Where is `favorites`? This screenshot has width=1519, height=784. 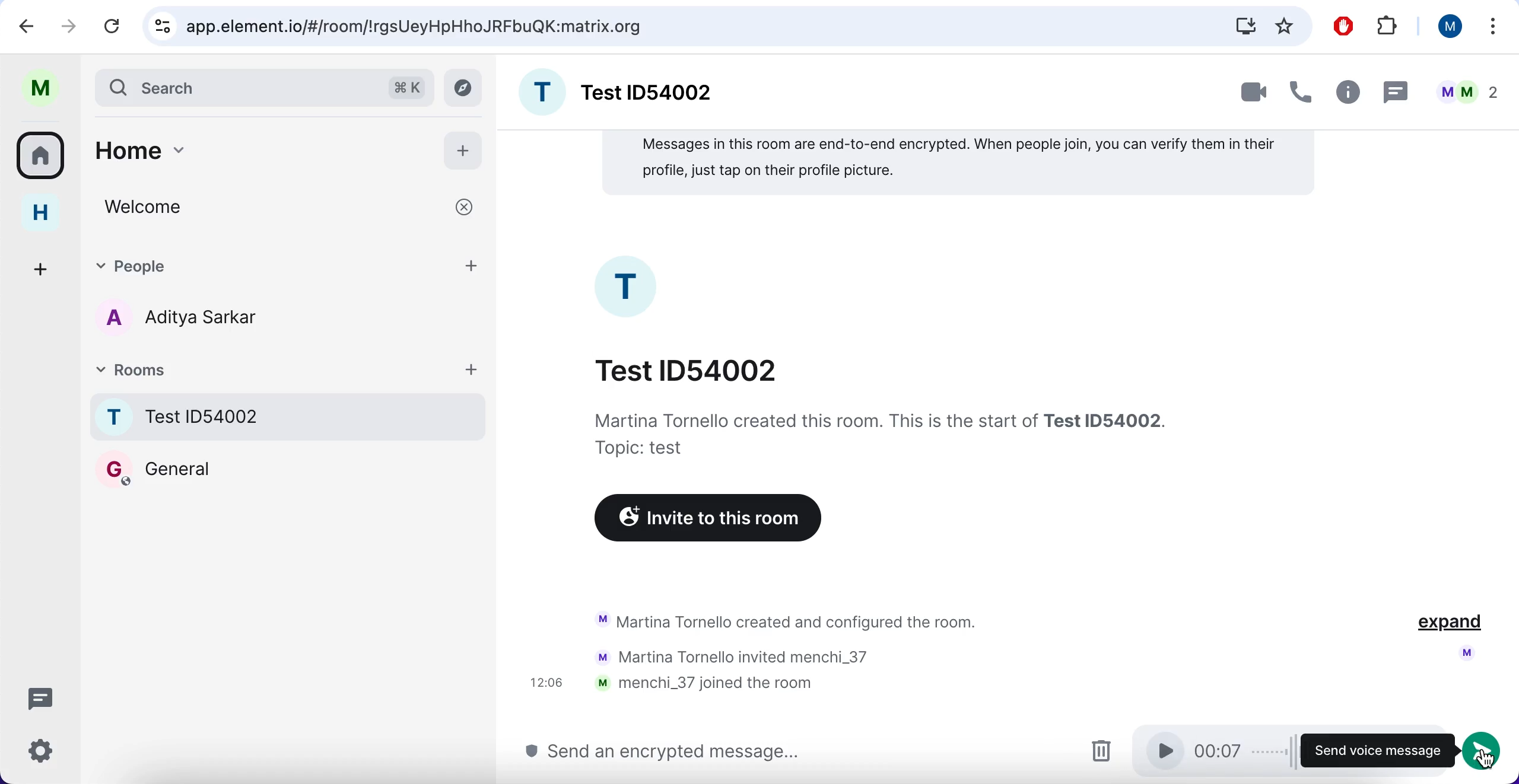 favorites is located at coordinates (1285, 26).